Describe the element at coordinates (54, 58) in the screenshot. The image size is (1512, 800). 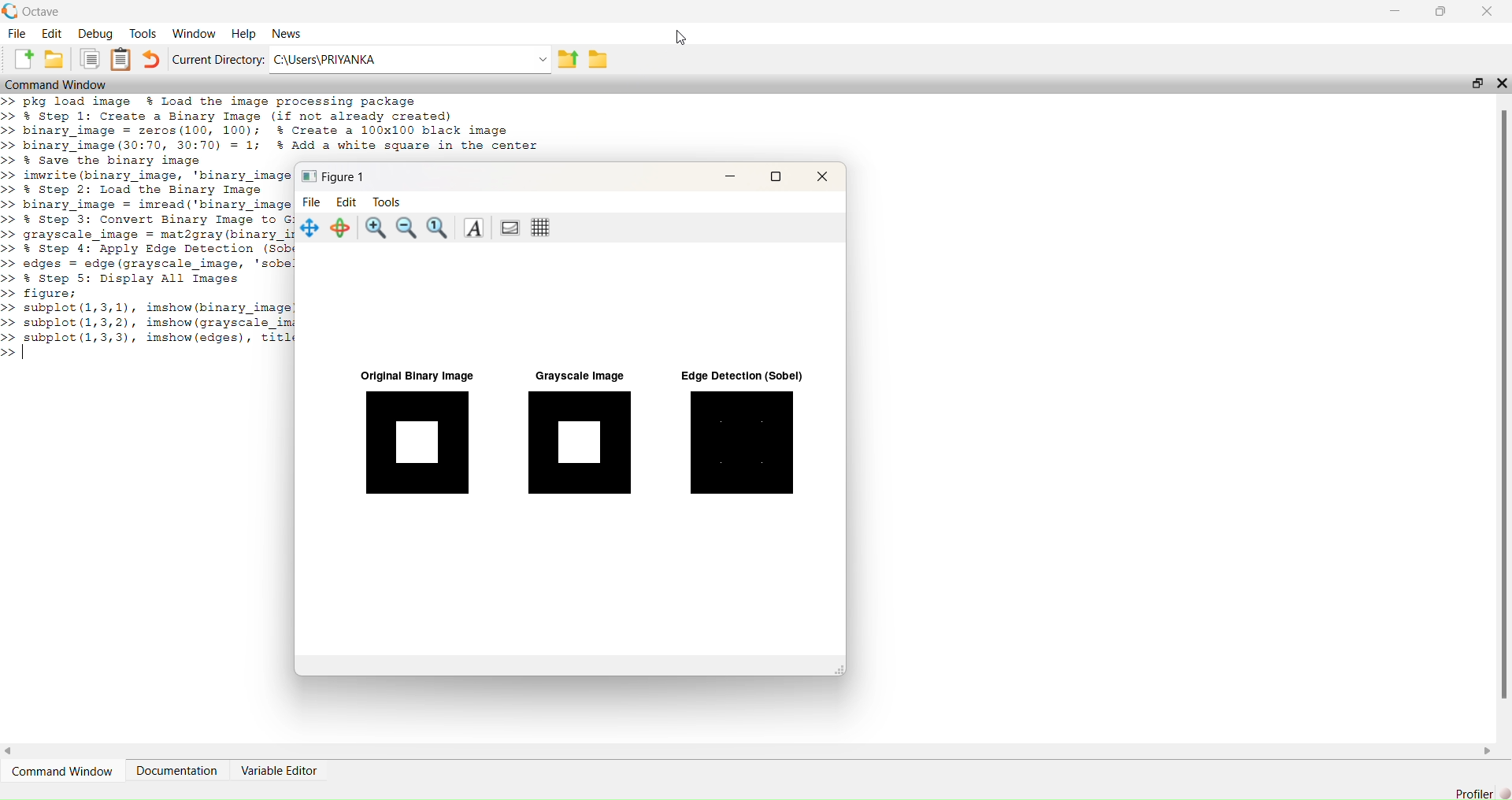
I see `add folder` at that location.